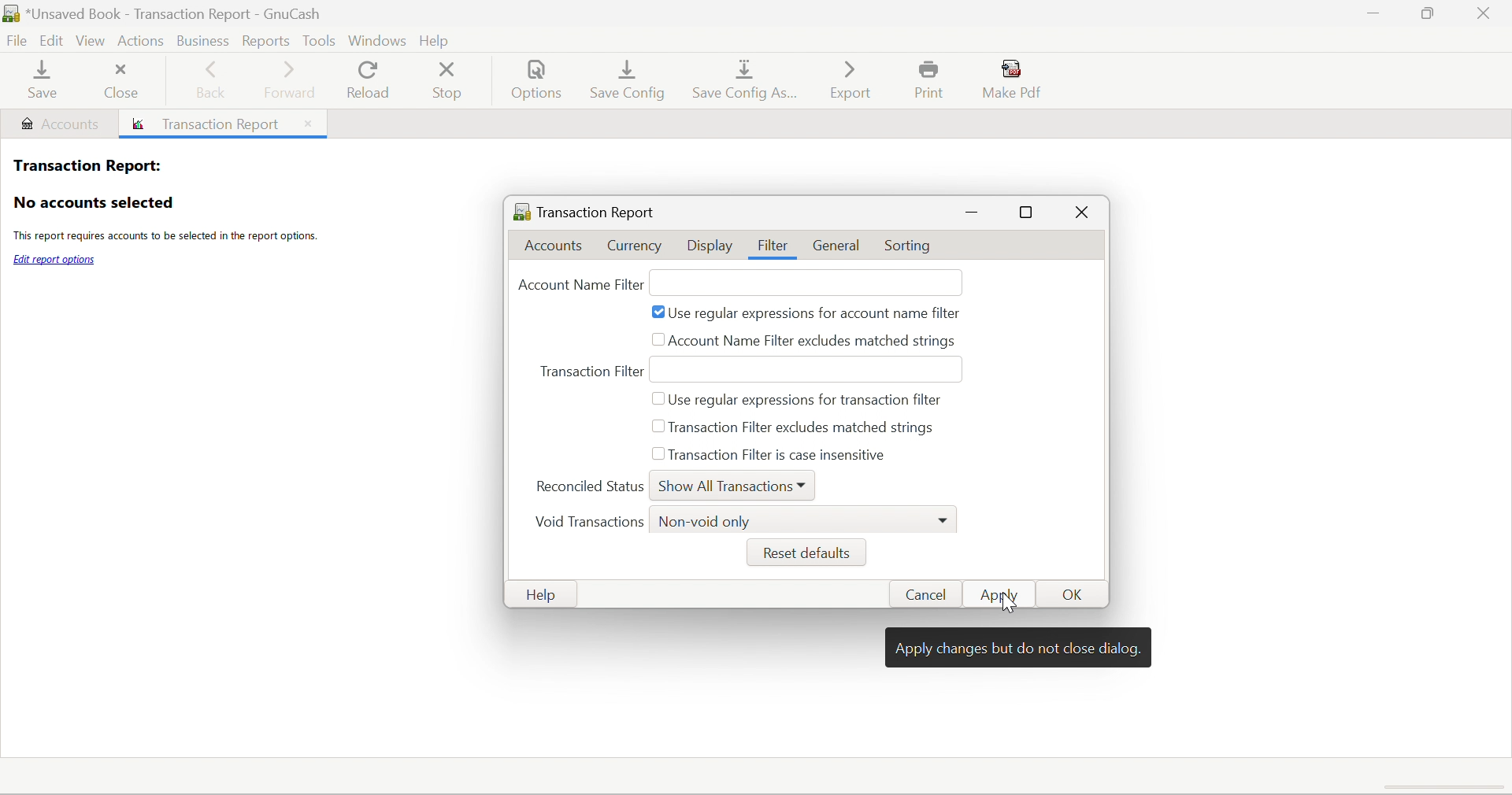 The image size is (1512, 795). I want to click on OK, so click(1076, 596).